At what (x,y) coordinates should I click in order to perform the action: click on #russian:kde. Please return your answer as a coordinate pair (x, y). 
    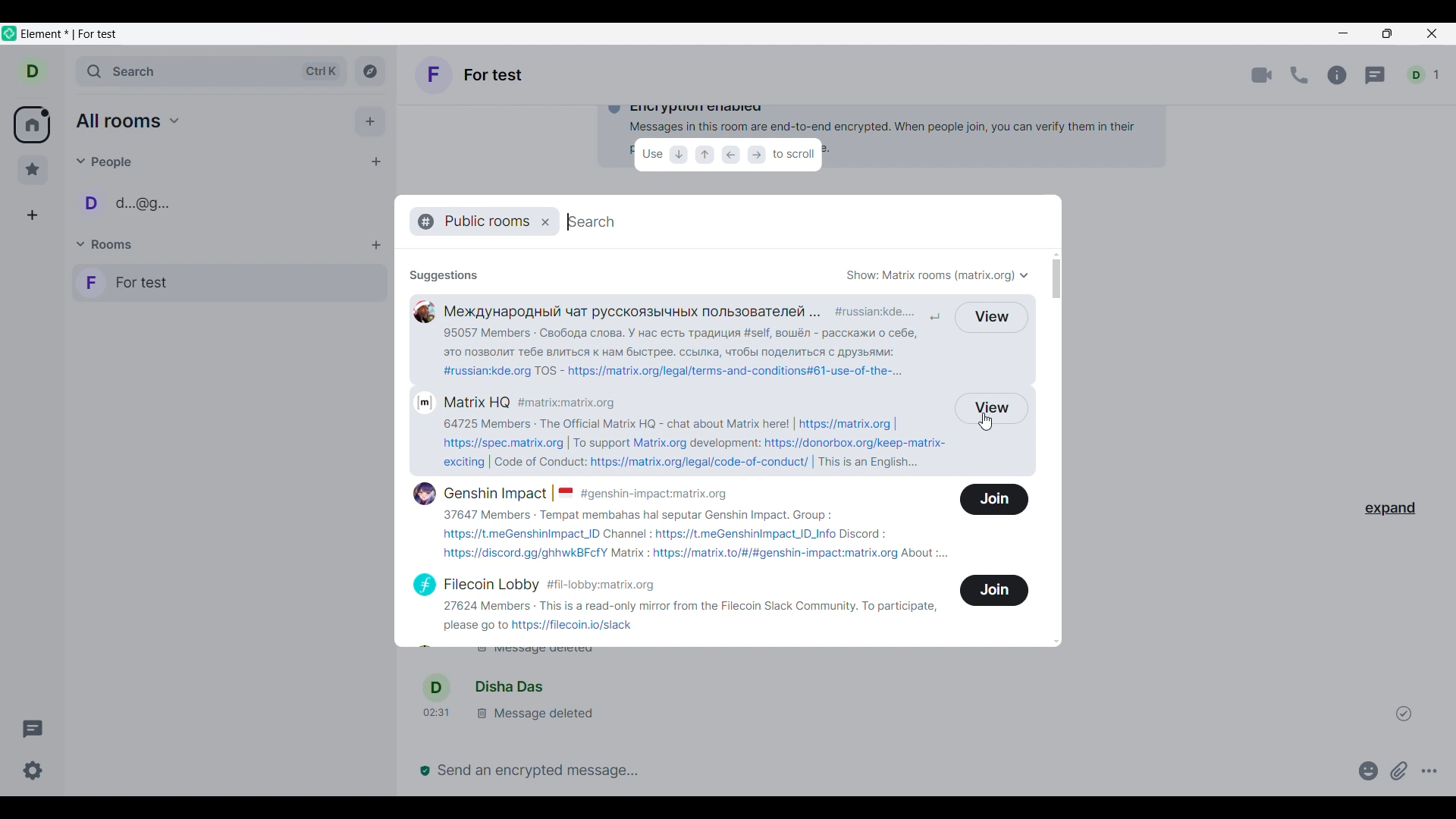
    Looking at the image, I should click on (883, 312).